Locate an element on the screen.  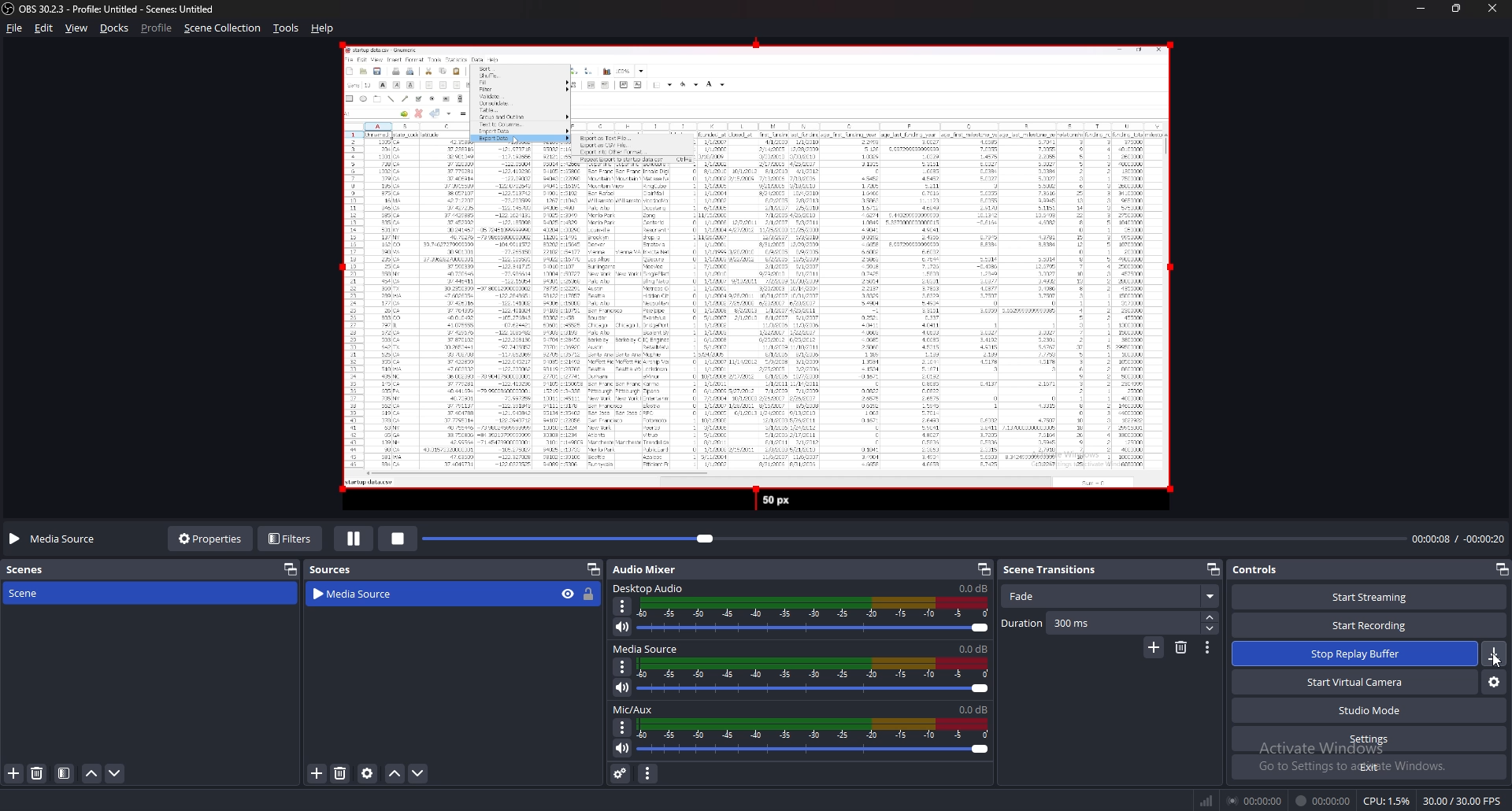
lock is located at coordinates (590, 595).